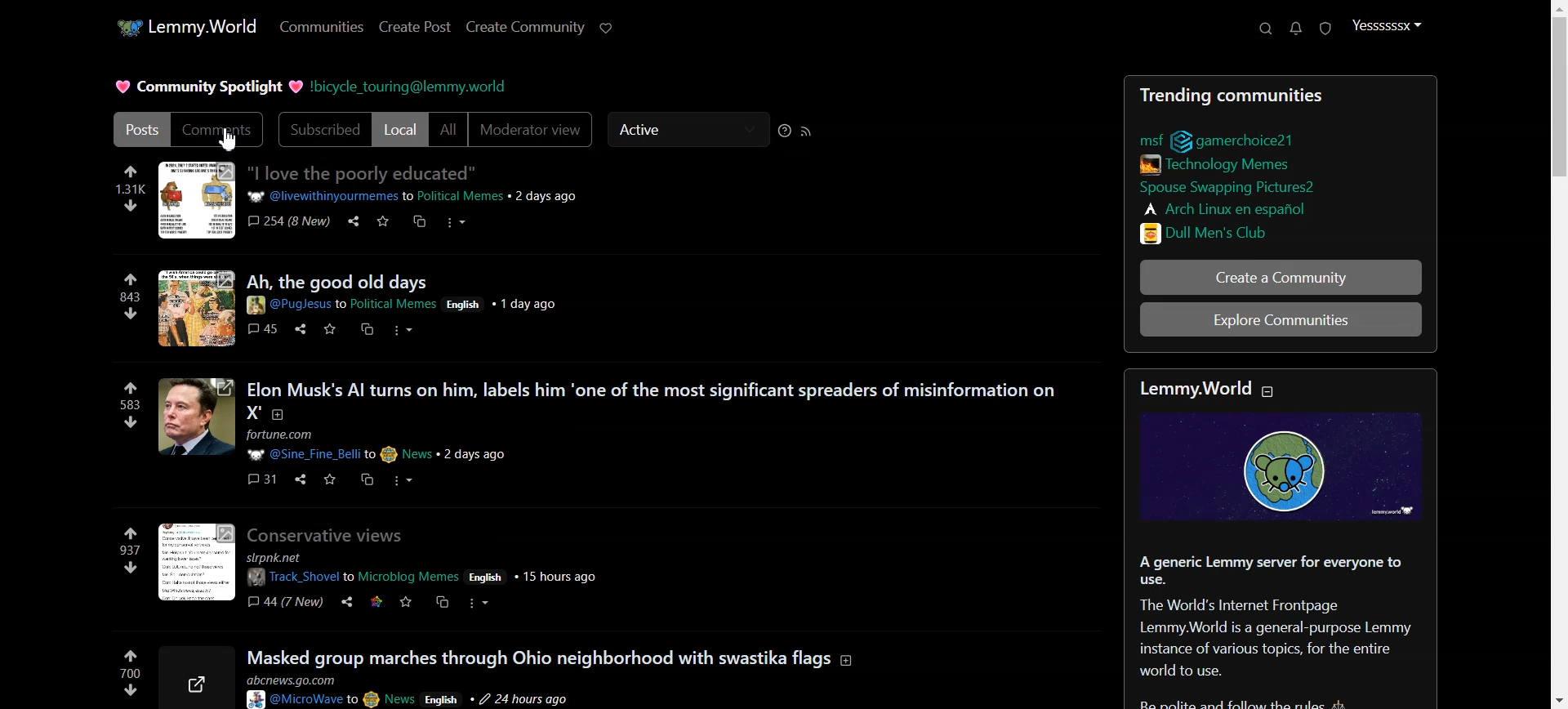 Image resolution: width=1568 pixels, height=709 pixels. What do you see at coordinates (130, 314) in the screenshot?
I see `downvote` at bounding box center [130, 314].